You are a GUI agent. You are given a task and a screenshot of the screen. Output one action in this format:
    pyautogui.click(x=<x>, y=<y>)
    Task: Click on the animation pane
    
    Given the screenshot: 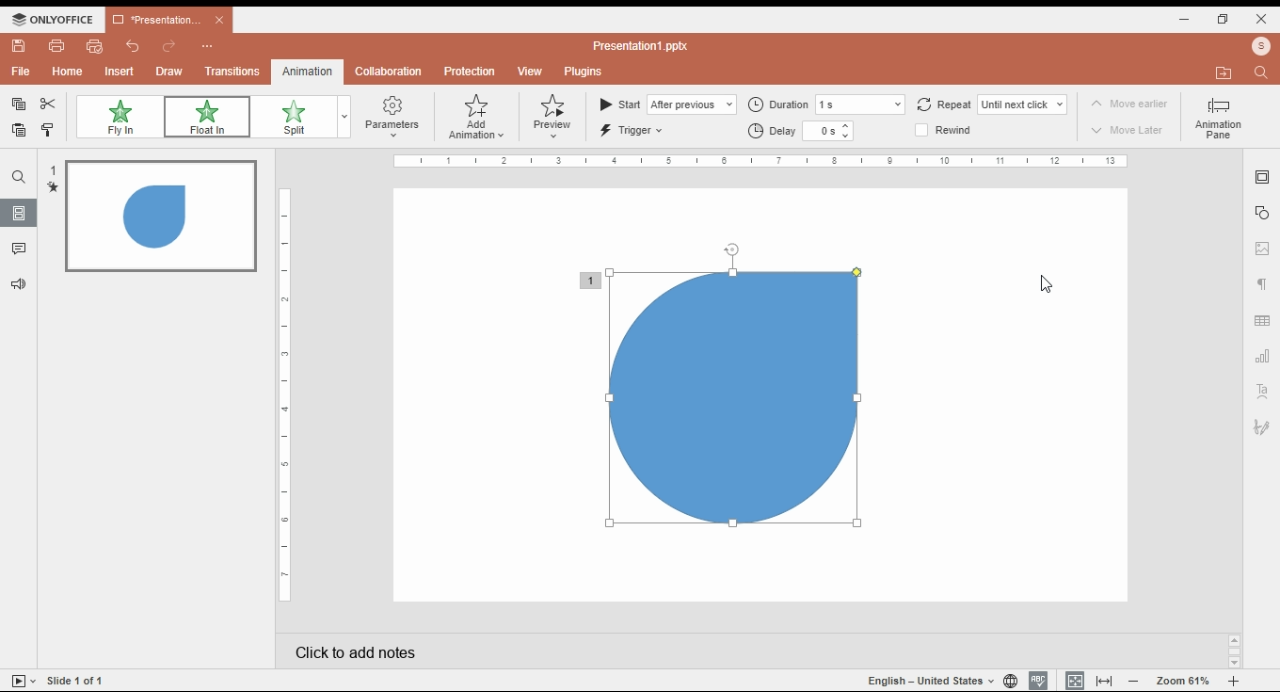 What is the action you would take?
    pyautogui.click(x=1217, y=118)
    